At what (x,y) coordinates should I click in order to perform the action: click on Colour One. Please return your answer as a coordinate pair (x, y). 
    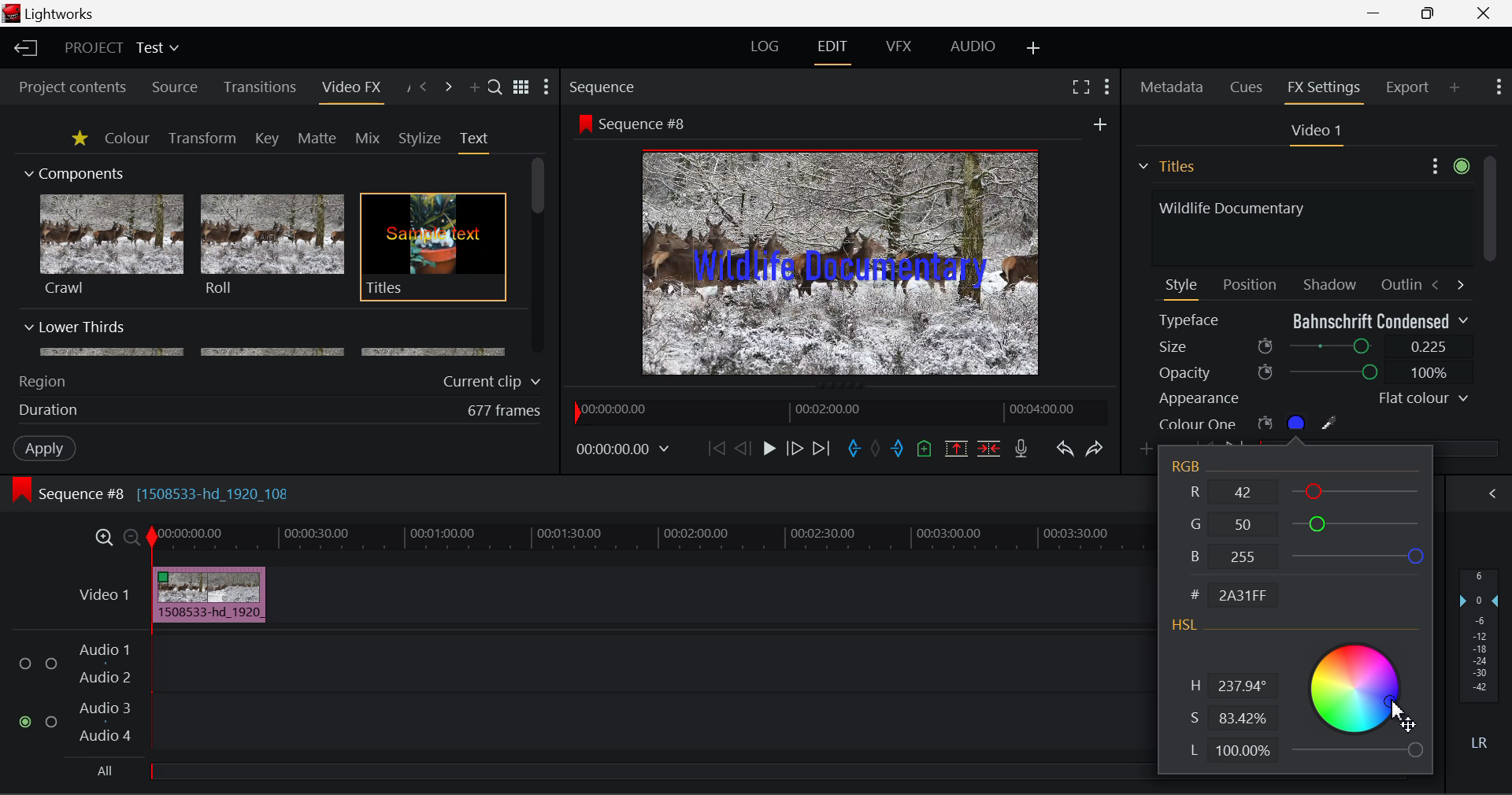
    Looking at the image, I should click on (1274, 423).